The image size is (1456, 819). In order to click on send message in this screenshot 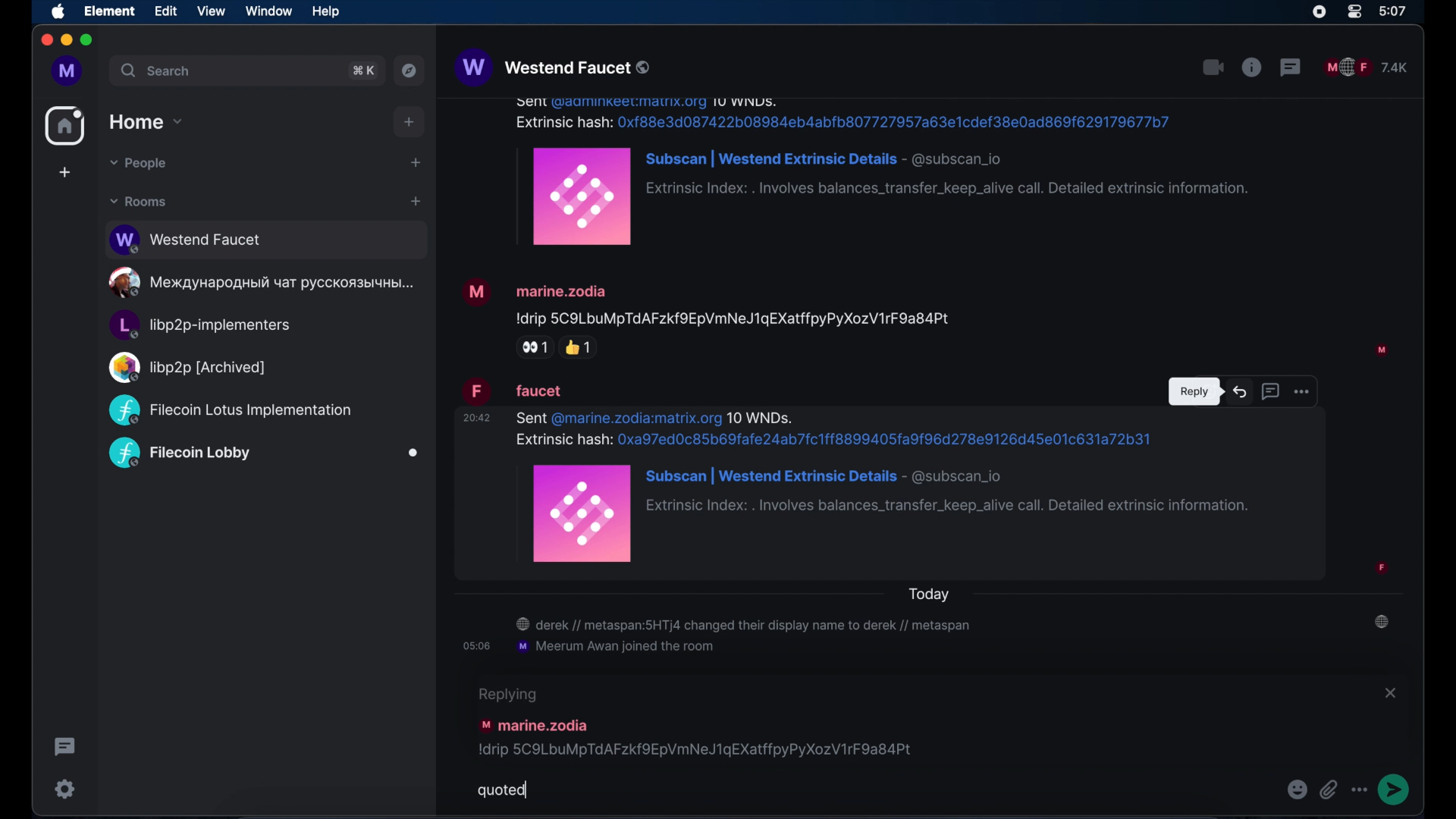, I will do `click(1397, 789)`.